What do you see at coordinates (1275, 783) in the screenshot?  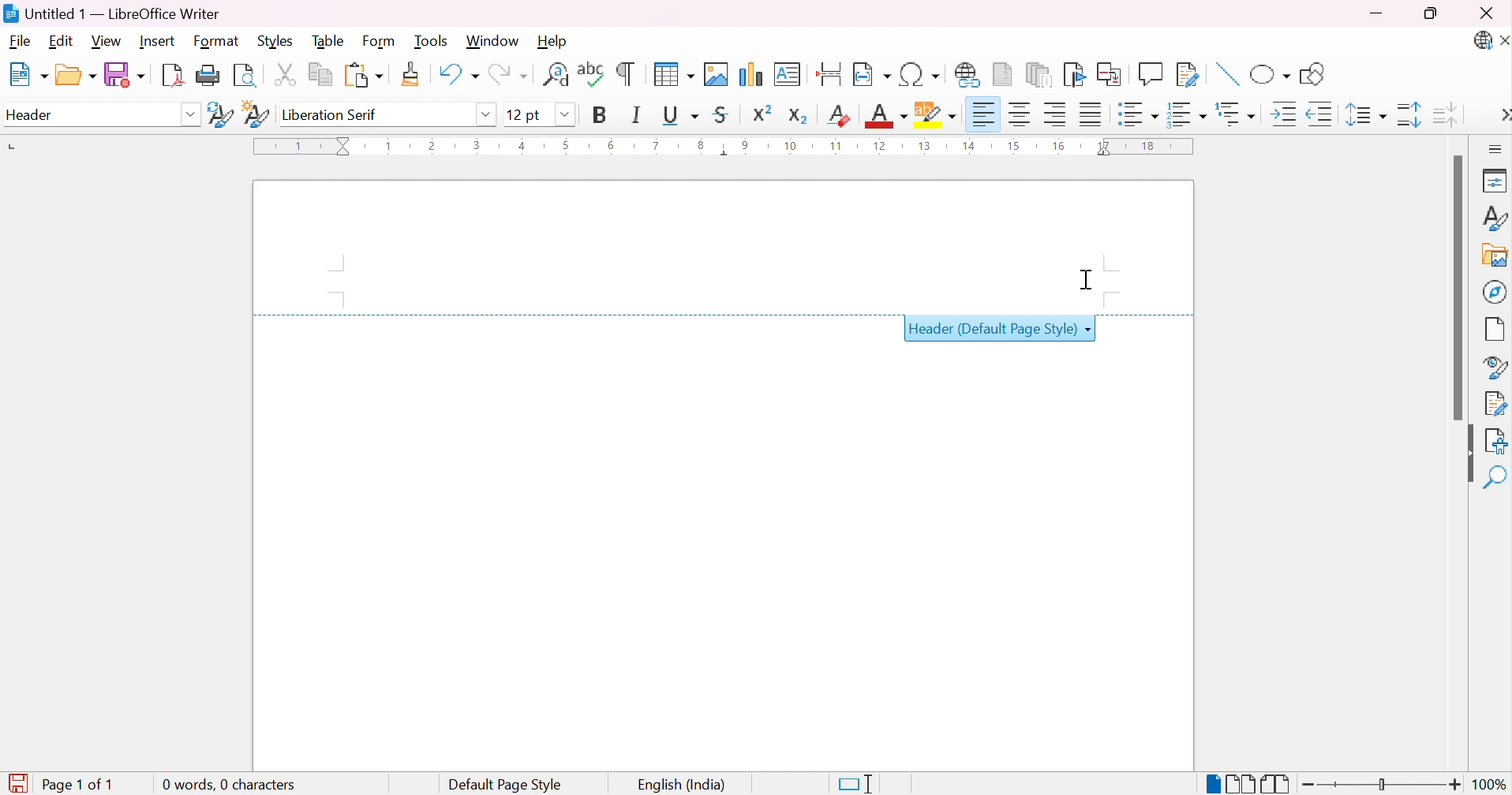 I see `Book view` at bounding box center [1275, 783].